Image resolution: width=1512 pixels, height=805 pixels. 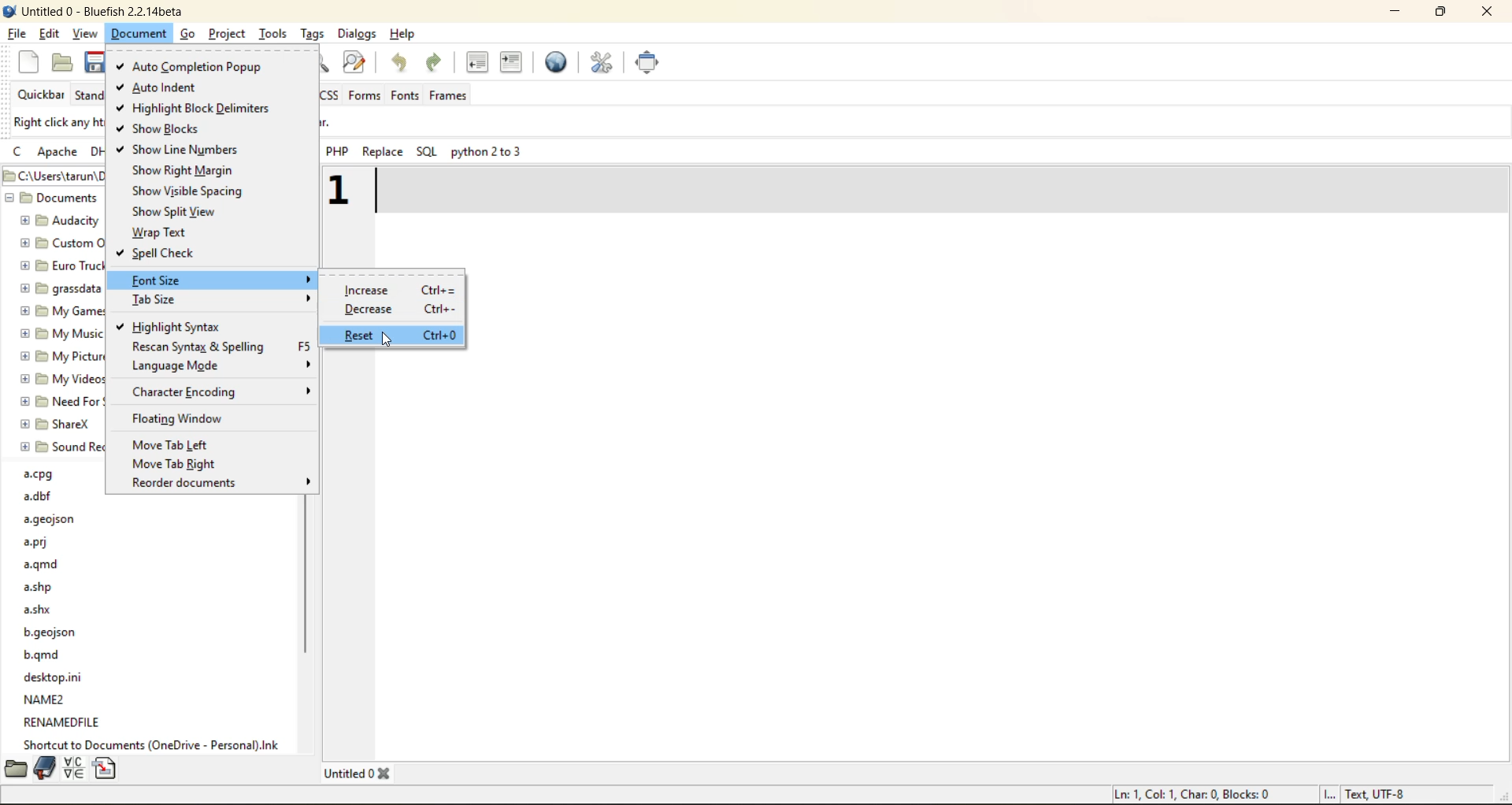 I want to click on sql, so click(x=428, y=150).